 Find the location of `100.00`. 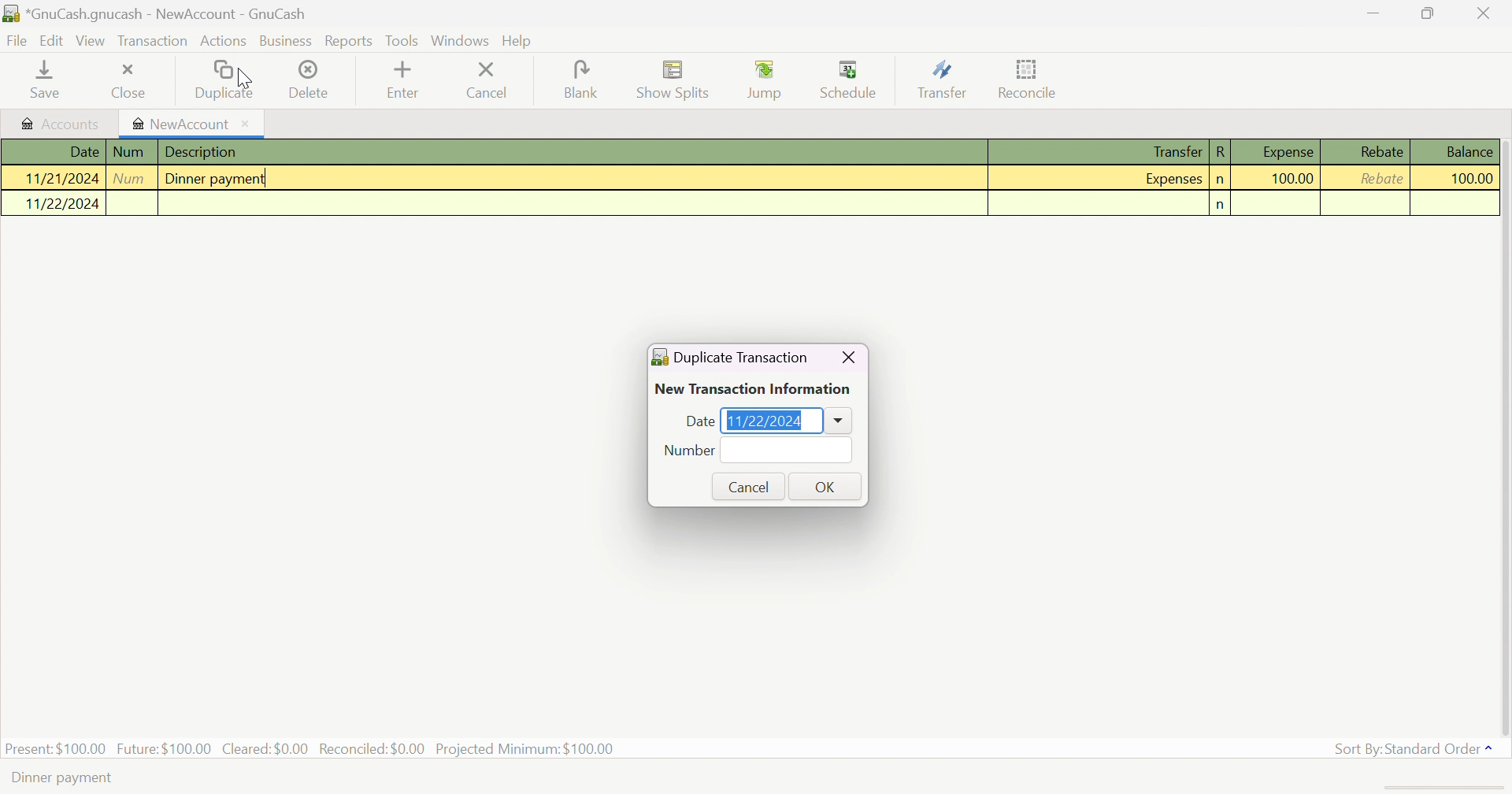

100.00 is located at coordinates (1462, 179).